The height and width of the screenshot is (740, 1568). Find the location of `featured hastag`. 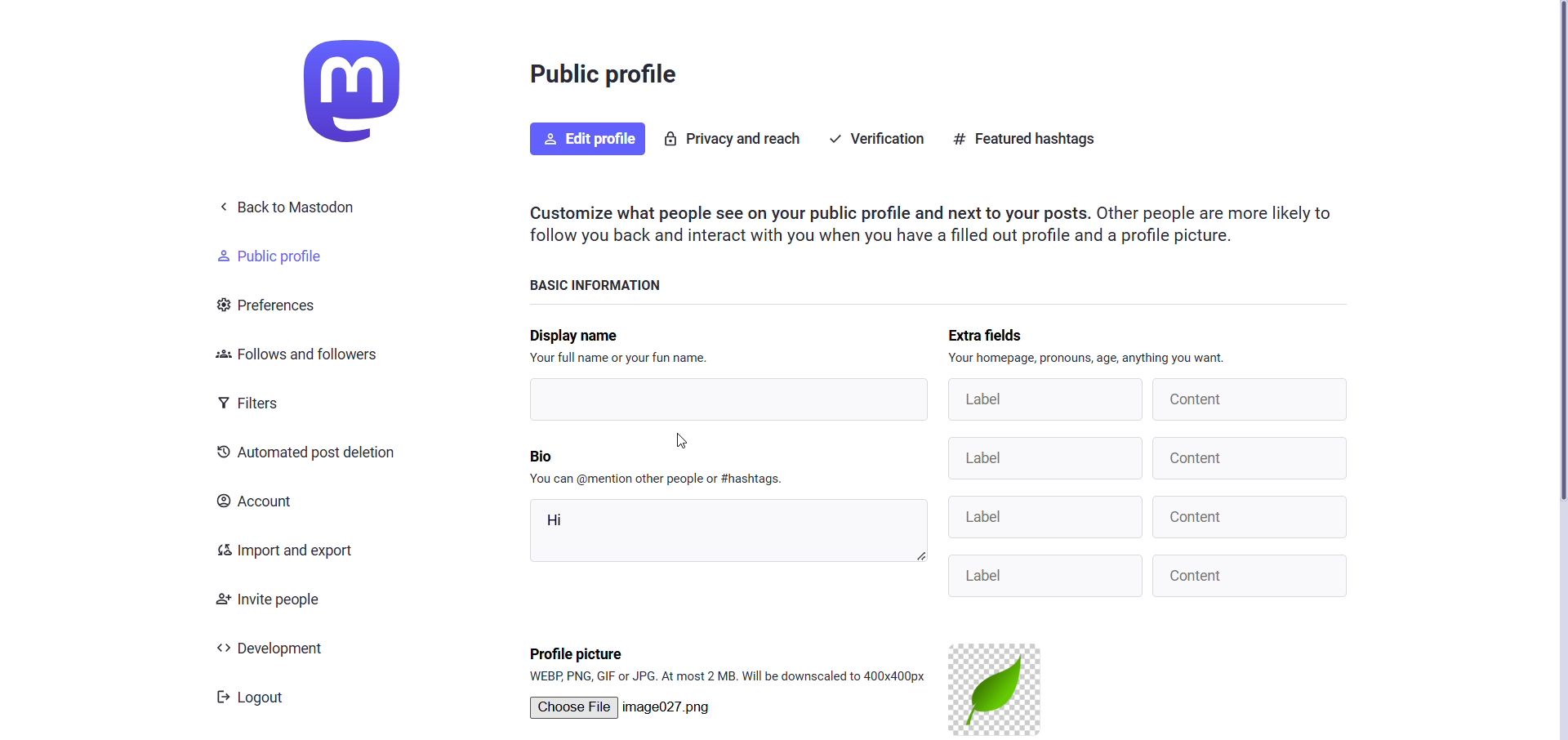

featured hastag is located at coordinates (1026, 137).